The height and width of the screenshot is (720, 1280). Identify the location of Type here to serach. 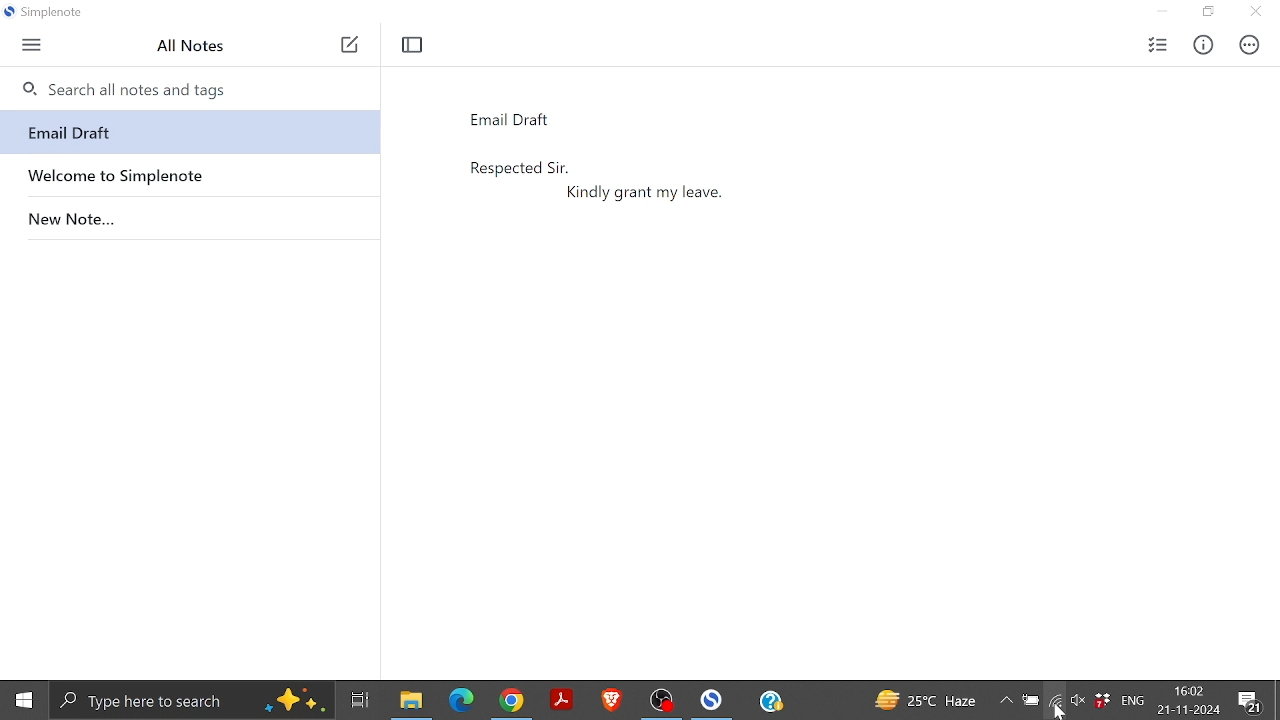
(192, 700).